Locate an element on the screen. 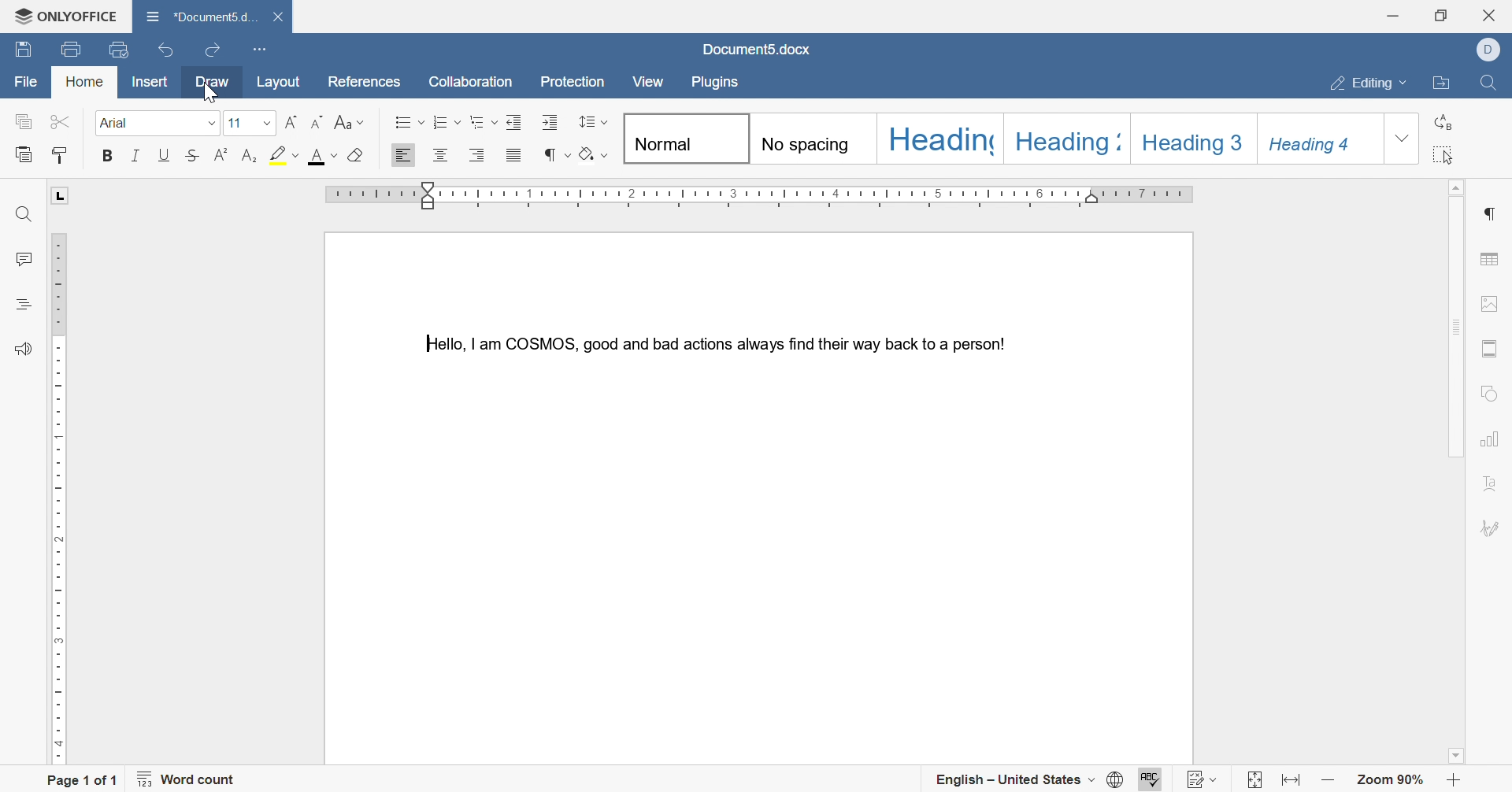 Image resolution: width=1512 pixels, height=792 pixels. shape settings is located at coordinates (1491, 391).